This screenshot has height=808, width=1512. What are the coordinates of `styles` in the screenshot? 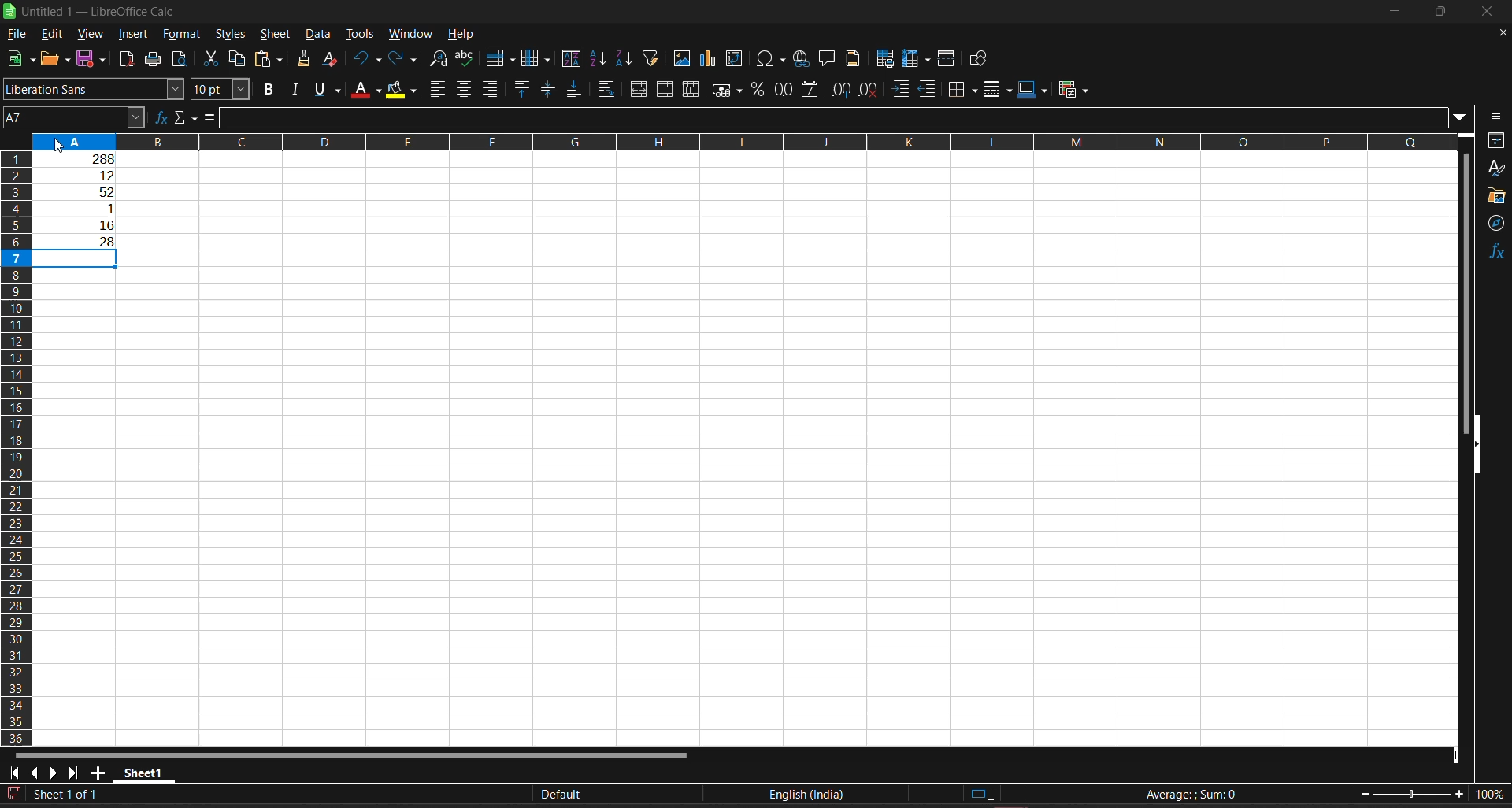 It's located at (229, 35).